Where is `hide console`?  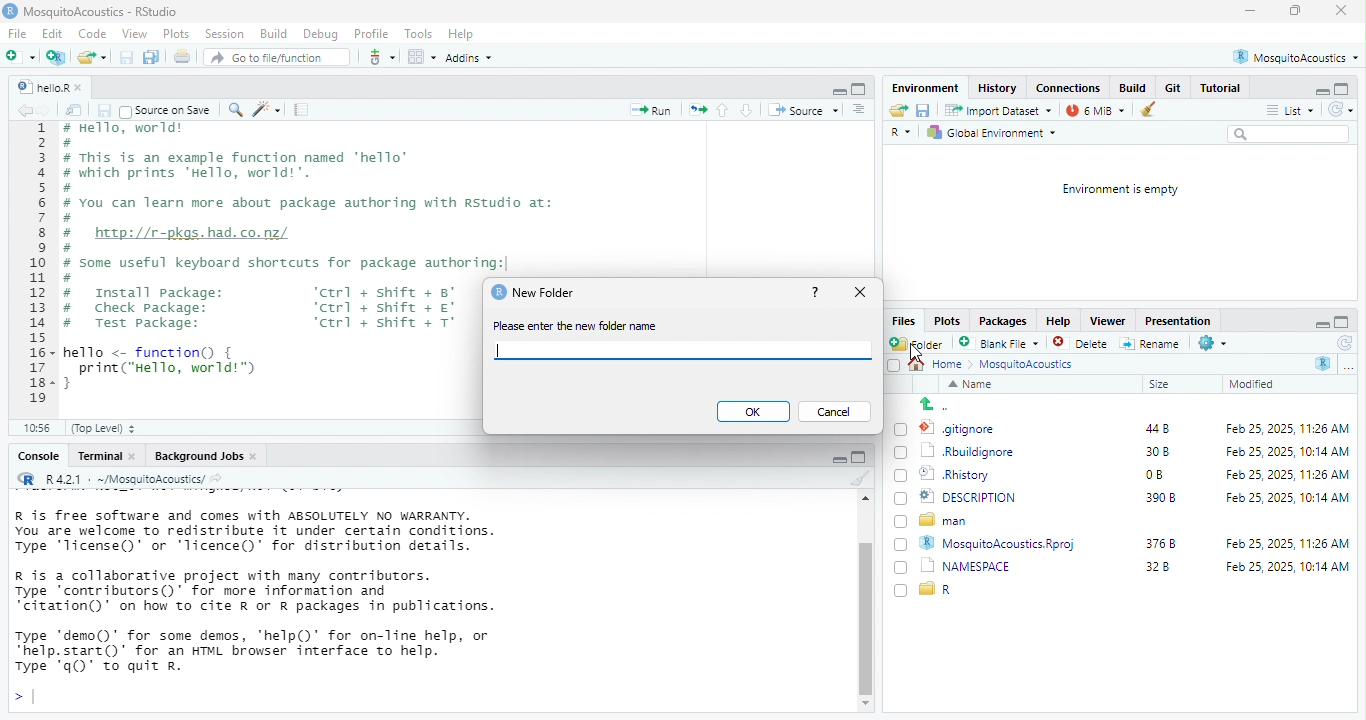
hide console is located at coordinates (861, 88).